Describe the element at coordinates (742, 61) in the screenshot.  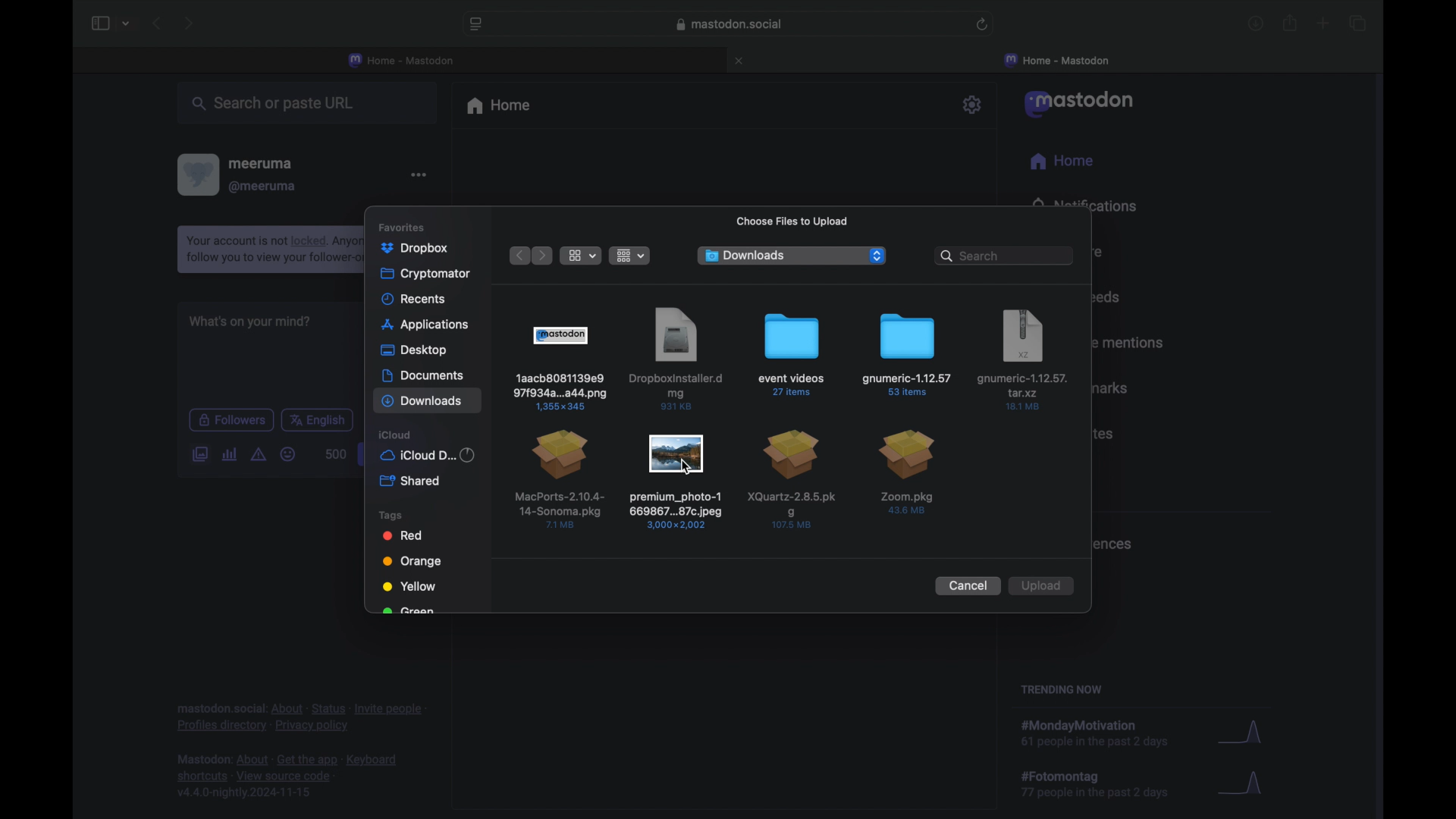
I see `close` at that location.